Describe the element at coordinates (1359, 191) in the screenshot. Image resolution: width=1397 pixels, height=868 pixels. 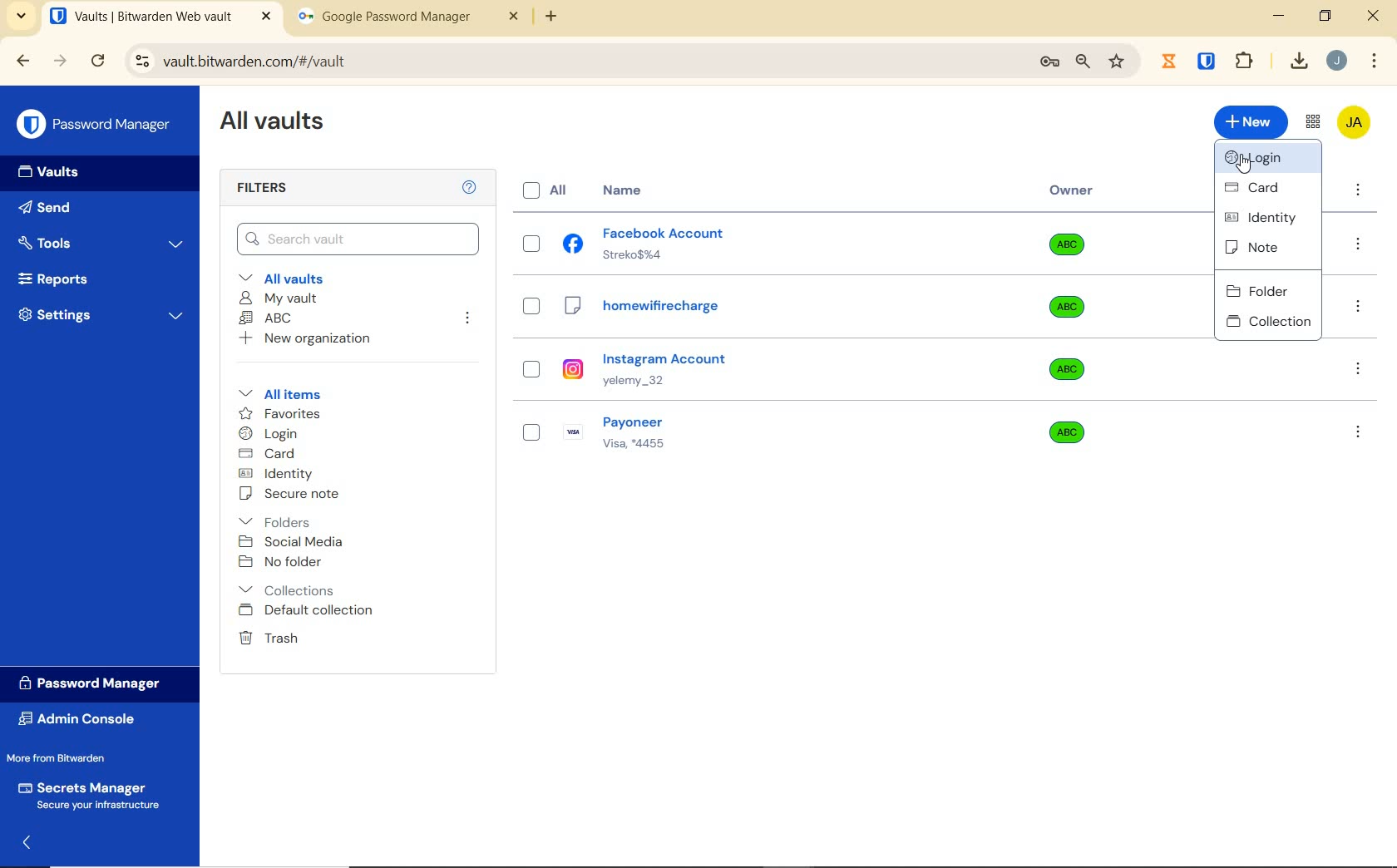
I see `more option` at that location.